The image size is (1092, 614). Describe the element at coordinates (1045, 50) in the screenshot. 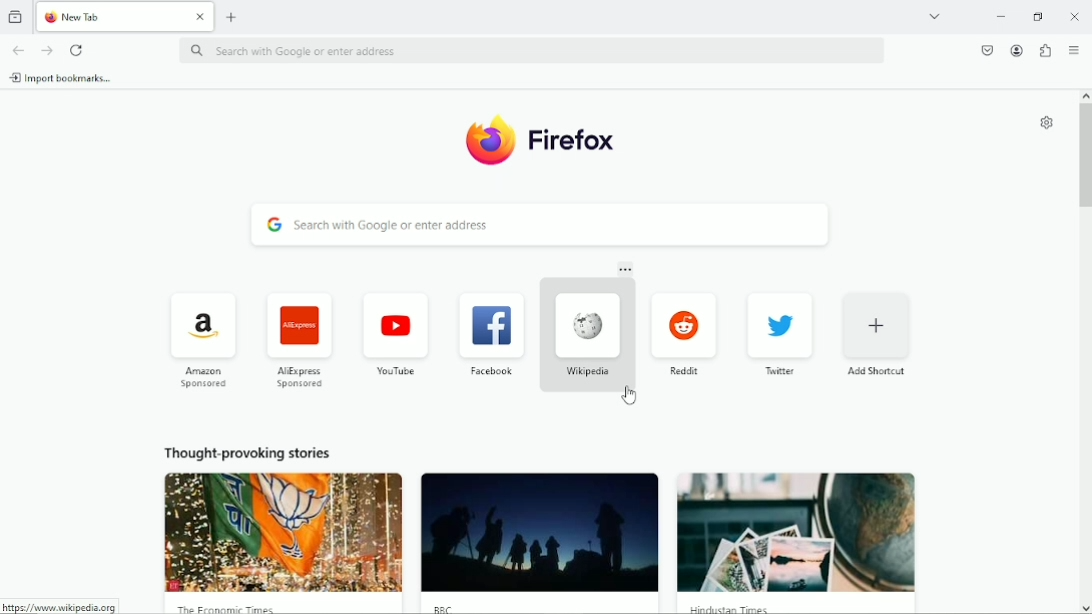

I see `extensions` at that location.